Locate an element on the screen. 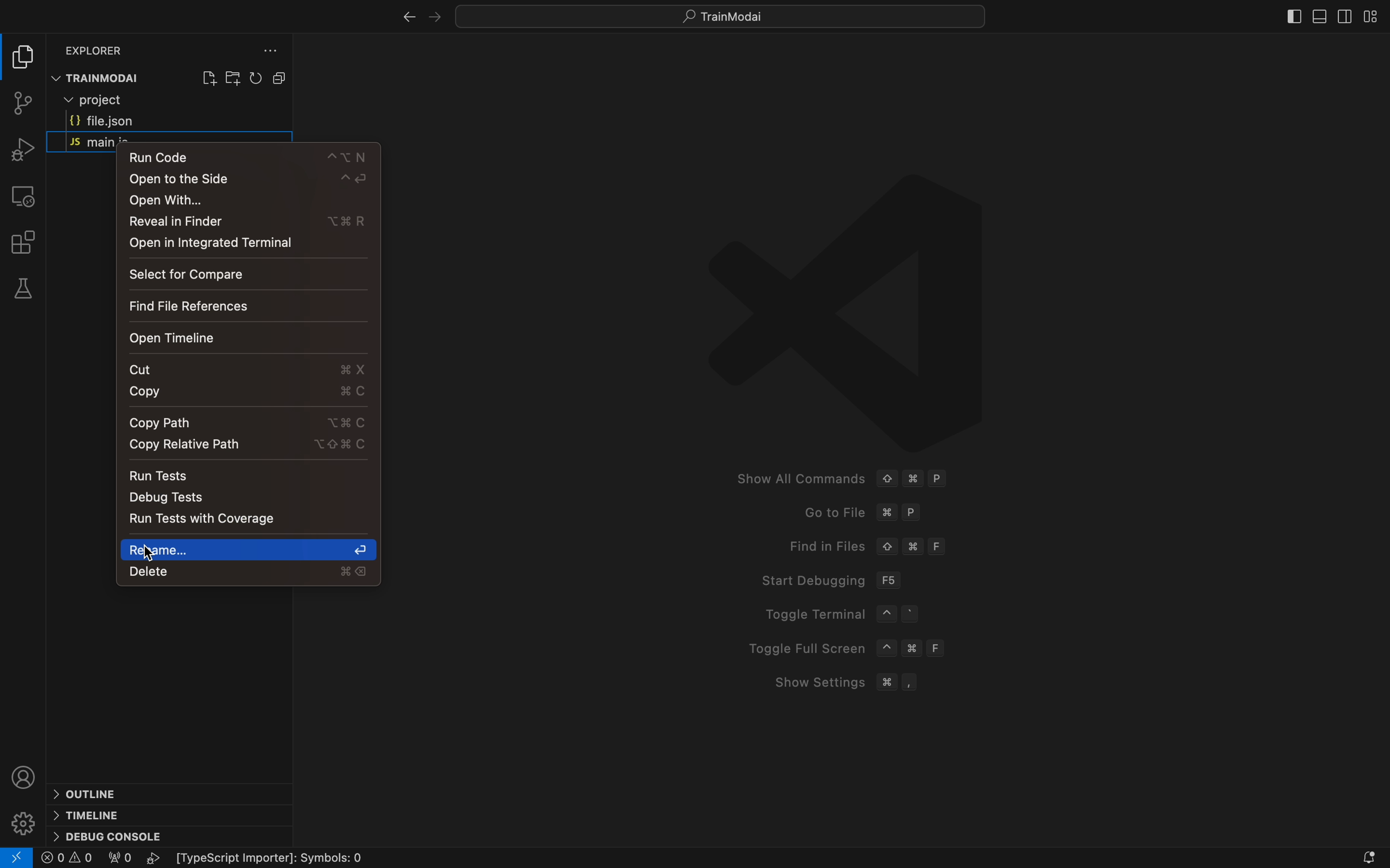  Show All Commands © # P
Goto File %# P
Find in Files © # F
Start Debugging F56
Toggle Terminal ~ °
Toggle Full Screen ~ # F
Show Settings # , is located at coordinates (838, 479).